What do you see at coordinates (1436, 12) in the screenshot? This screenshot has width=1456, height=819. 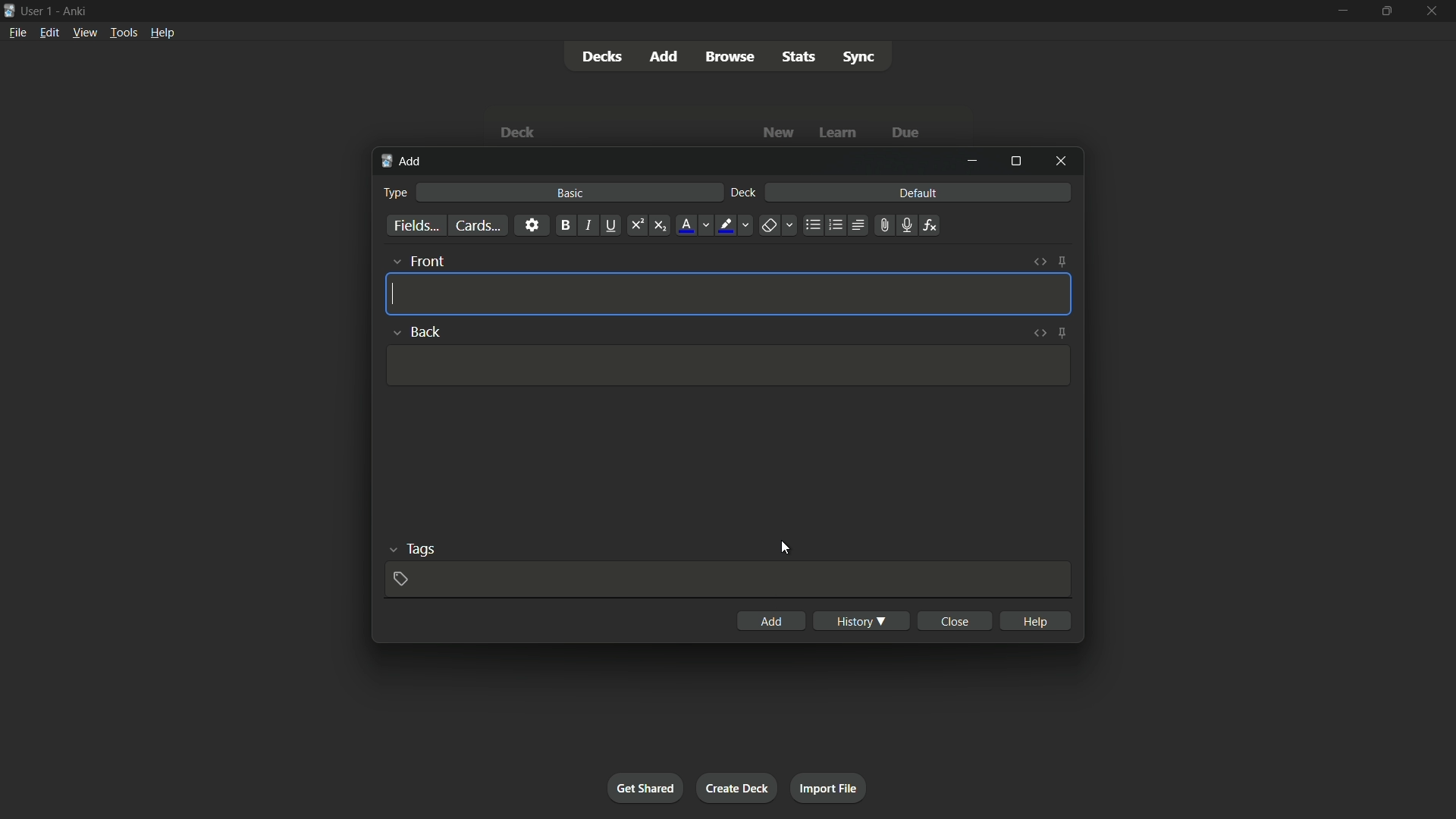 I see `close app` at bounding box center [1436, 12].